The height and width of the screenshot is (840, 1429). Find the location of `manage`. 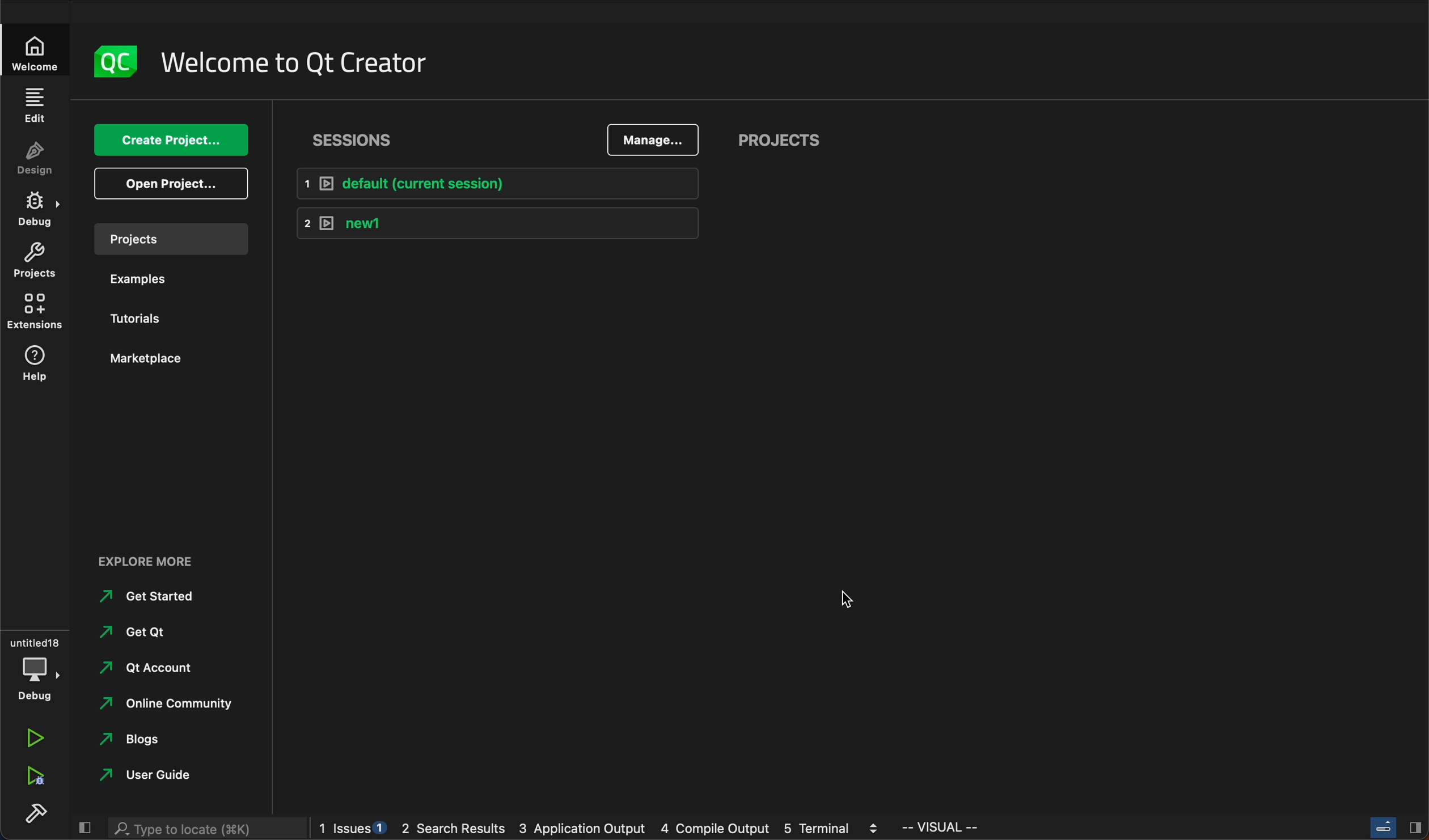

manage is located at coordinates (656, 137).